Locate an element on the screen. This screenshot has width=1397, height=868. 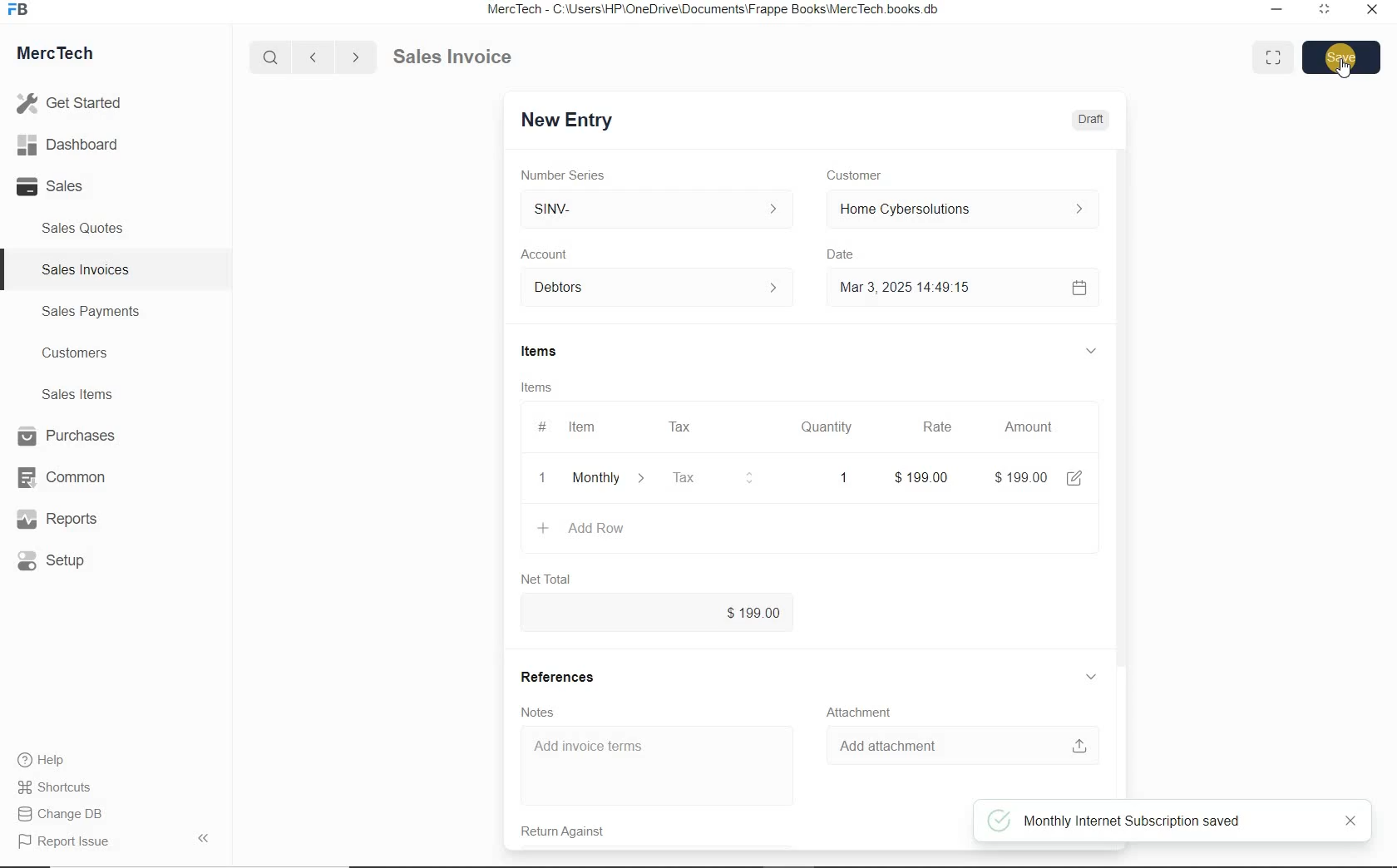
Account dropdown is located at coordinates (659, 289).